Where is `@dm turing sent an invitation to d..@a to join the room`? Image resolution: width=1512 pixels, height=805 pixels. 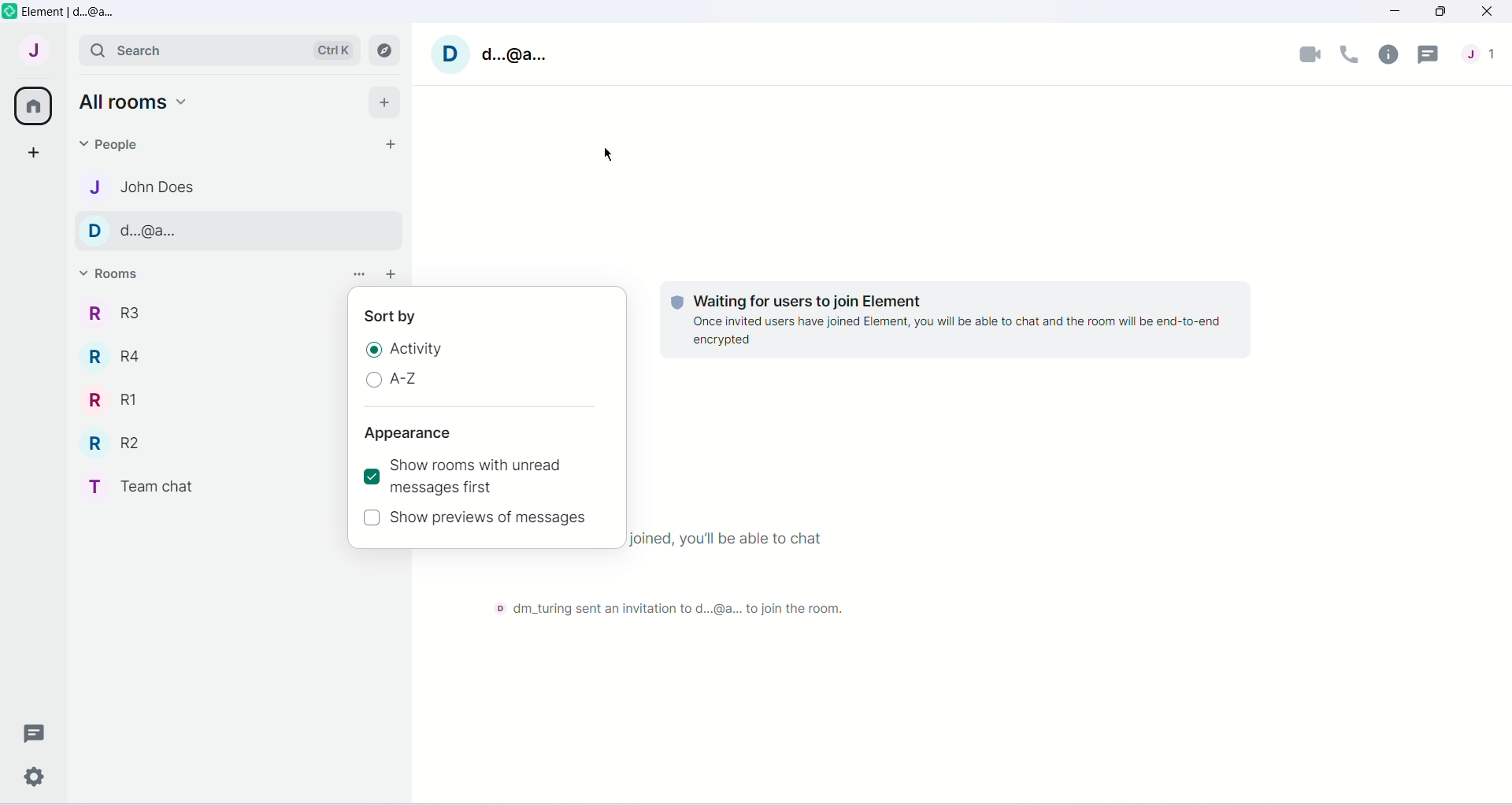
@dm turing sent an invitation to d..@a to join the room is located at coordinates (667, 611).